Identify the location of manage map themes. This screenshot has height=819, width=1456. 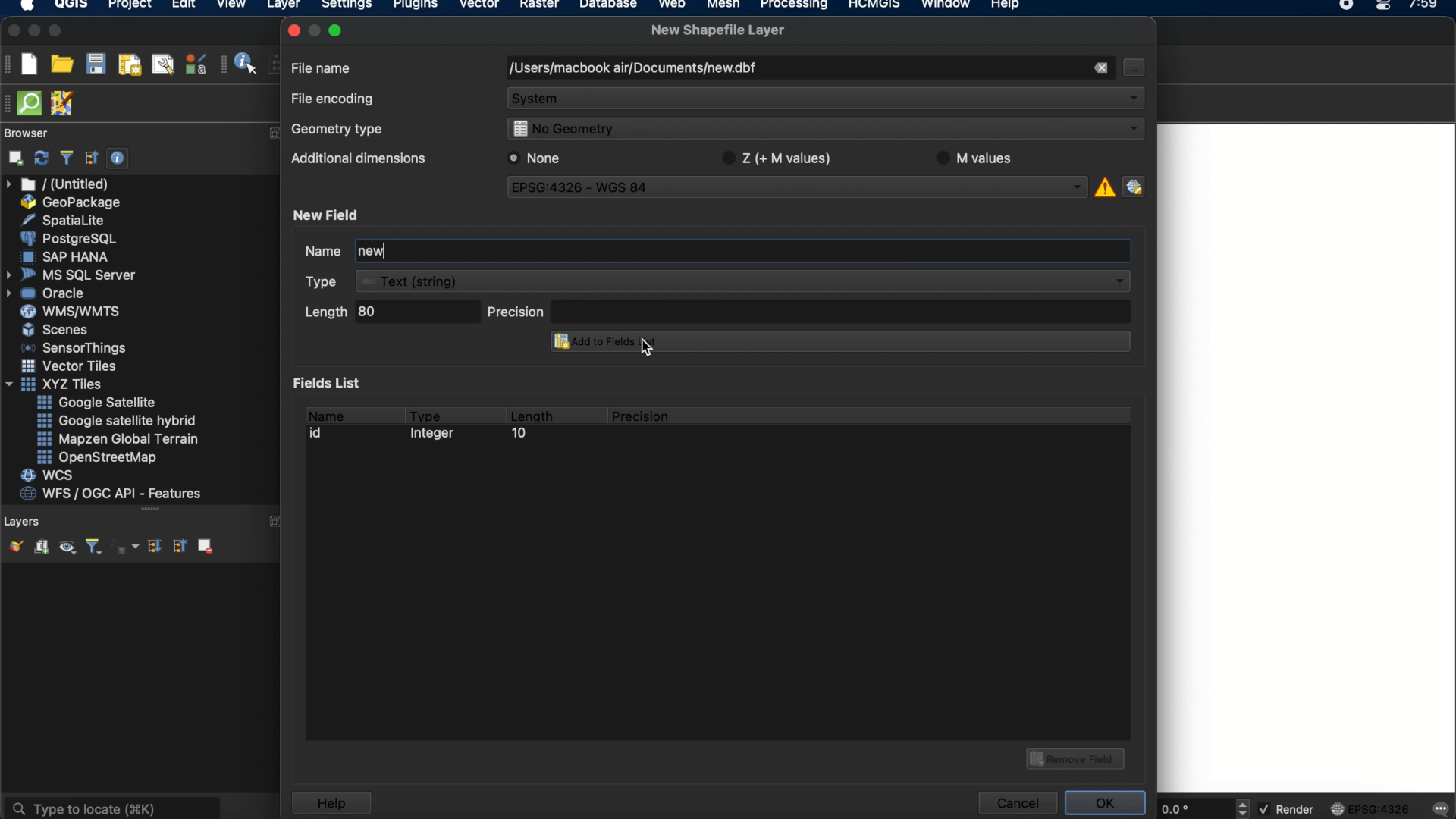
(66, 549).